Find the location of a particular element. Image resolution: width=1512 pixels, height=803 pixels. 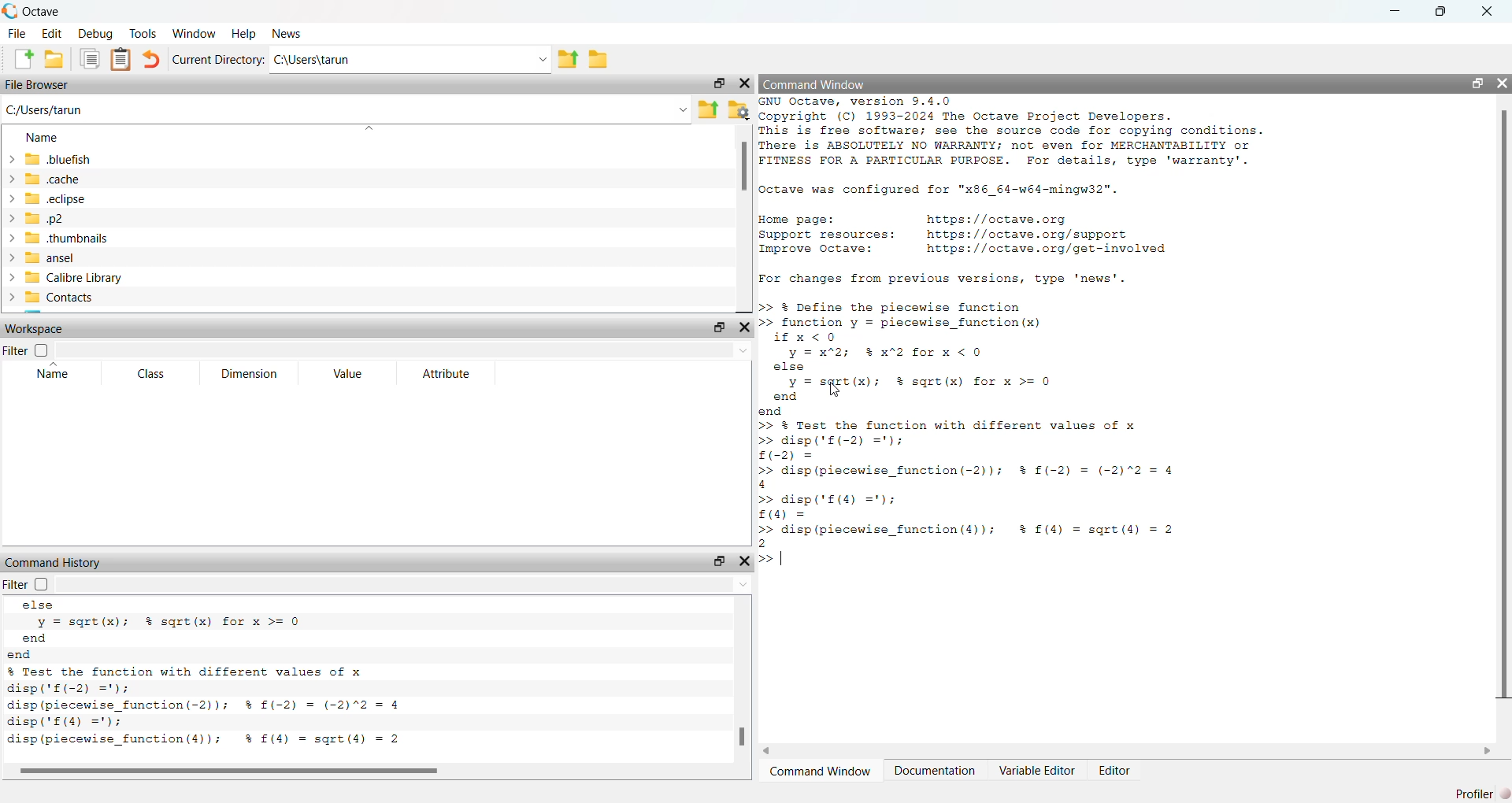

Current Directory: is located at coordinates (217, 60).